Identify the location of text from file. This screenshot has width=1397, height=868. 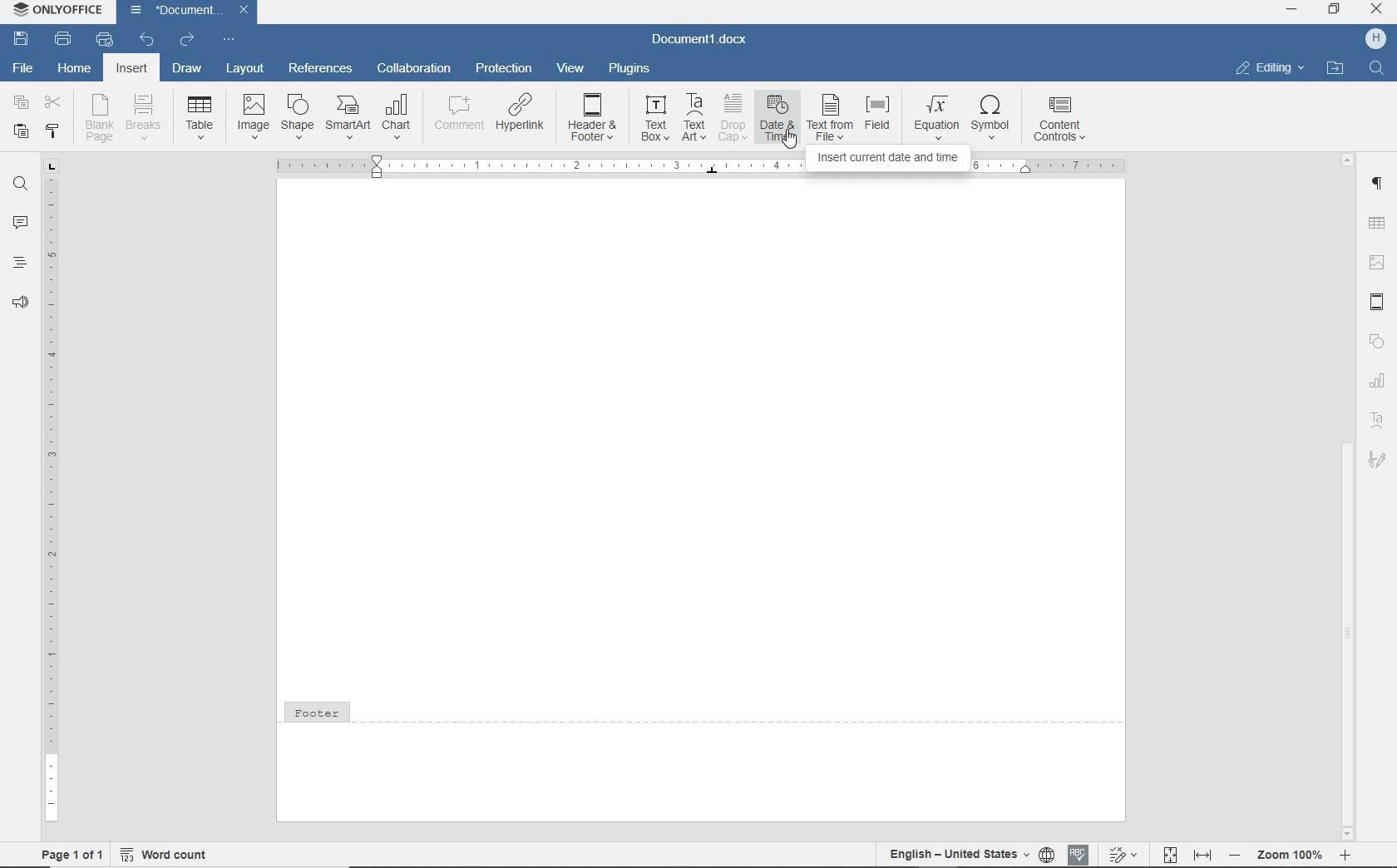
(830, 117).